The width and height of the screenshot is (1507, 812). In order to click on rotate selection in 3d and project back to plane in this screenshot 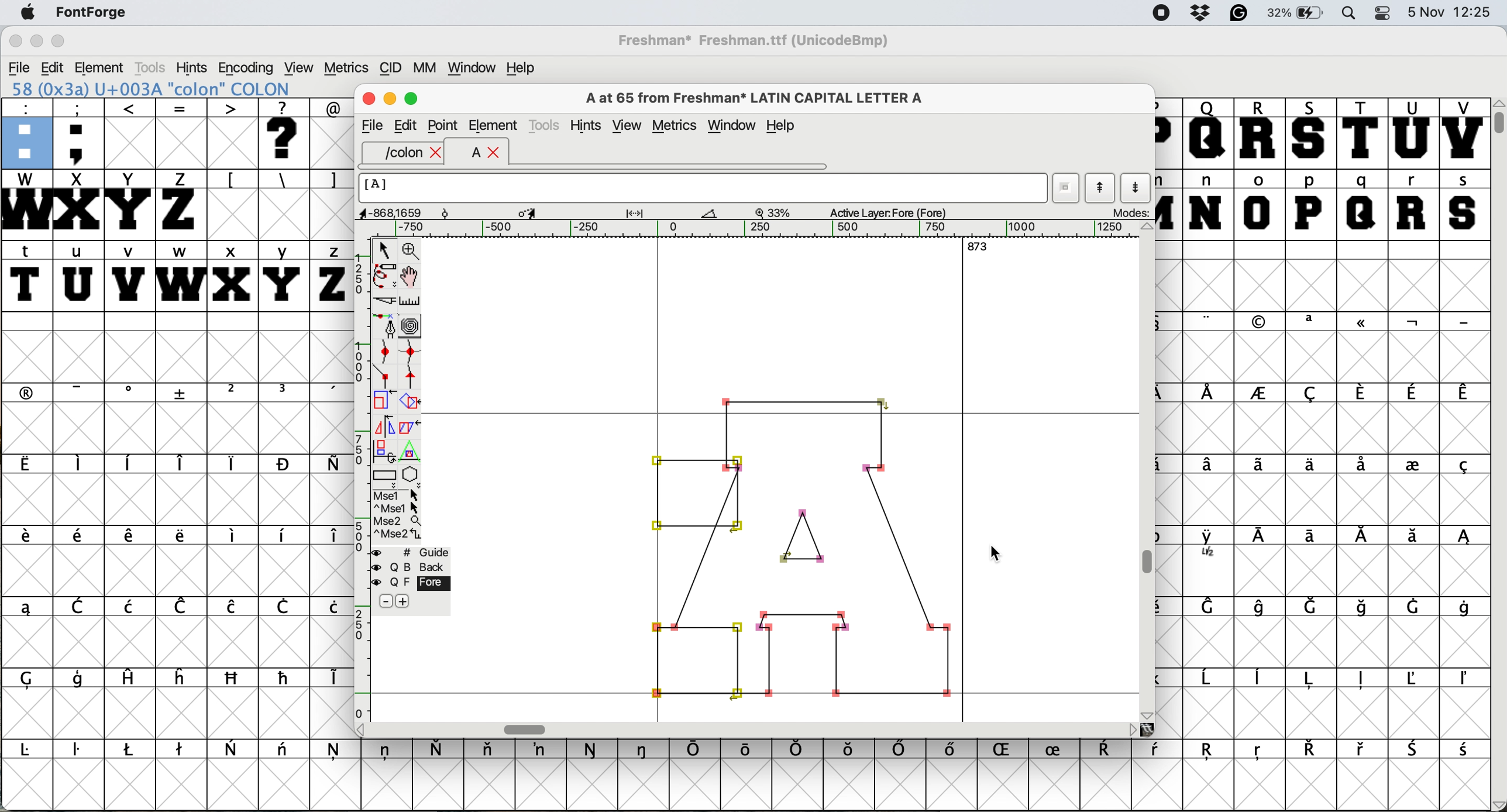, I will do `click(384, 446)`.